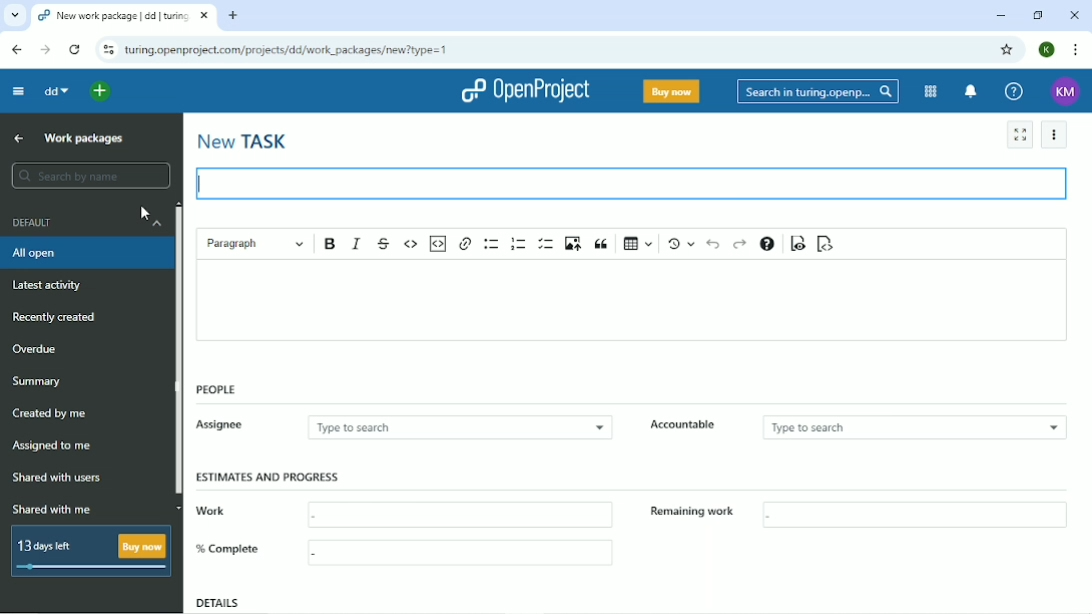 This screenshot has height=614, width=1092. Describe the element at coordinates (491, 243) in the screenshot. I see `Bulleted list` at that location.